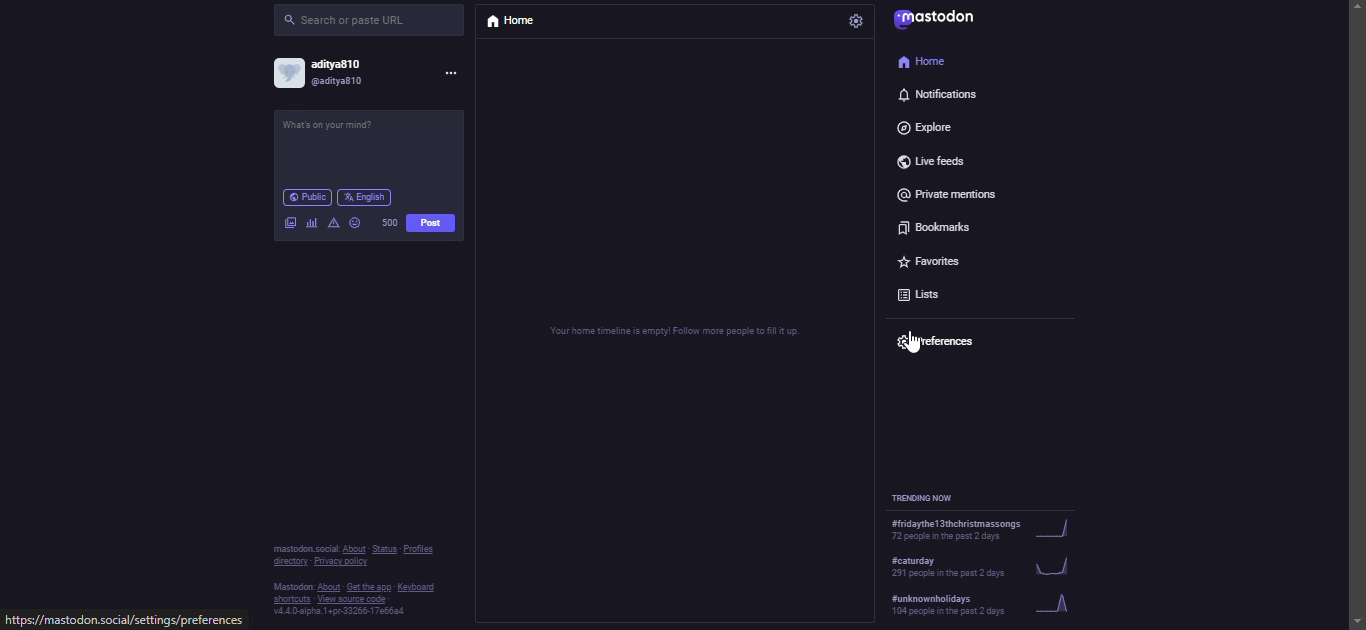 The height and width of the screenshot is (630, 1366). I want to click on mastodon, so click(939, 20).